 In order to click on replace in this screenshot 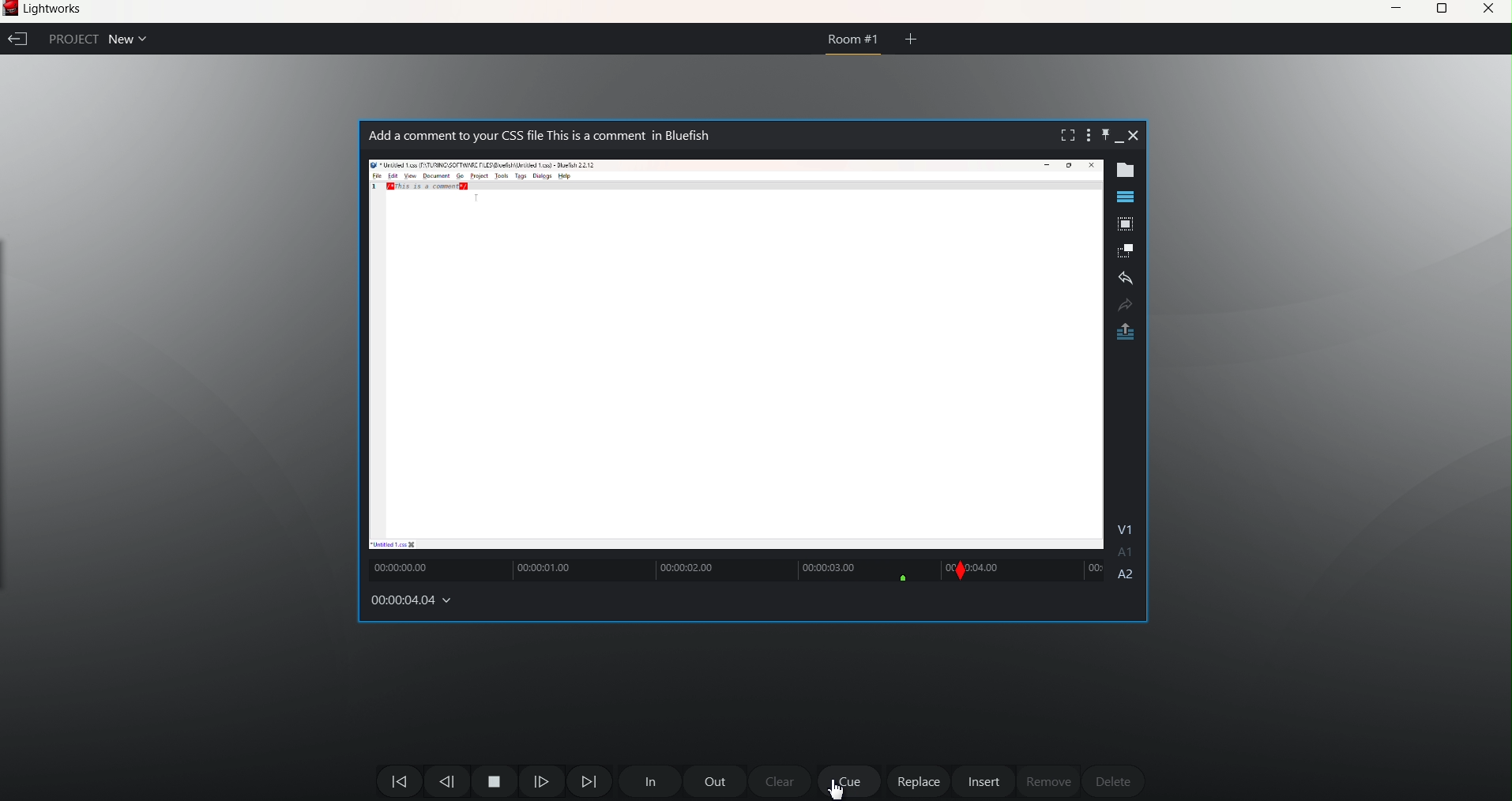, I will do `click(920, 782)`.